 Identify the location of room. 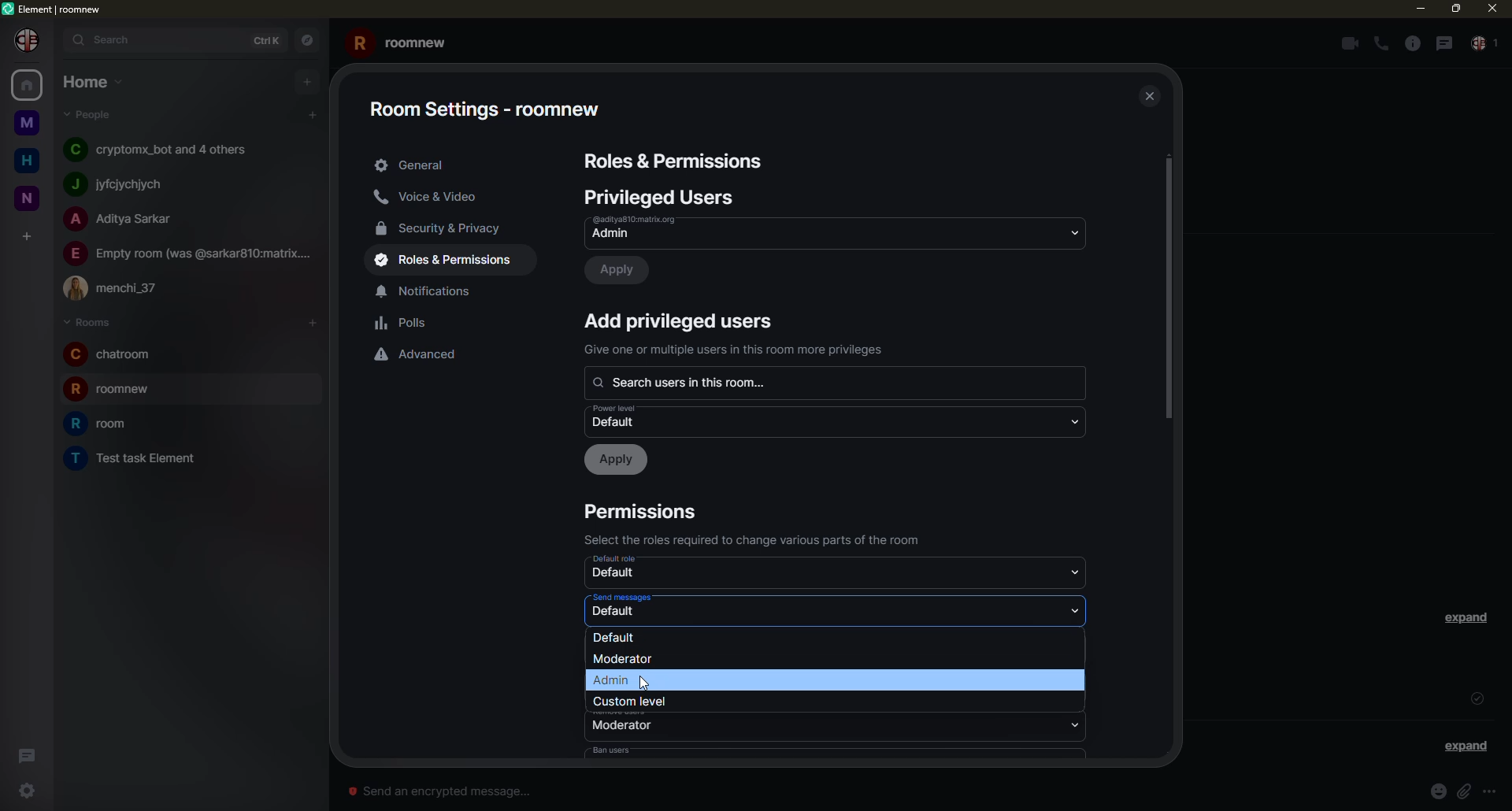
(120, 391).